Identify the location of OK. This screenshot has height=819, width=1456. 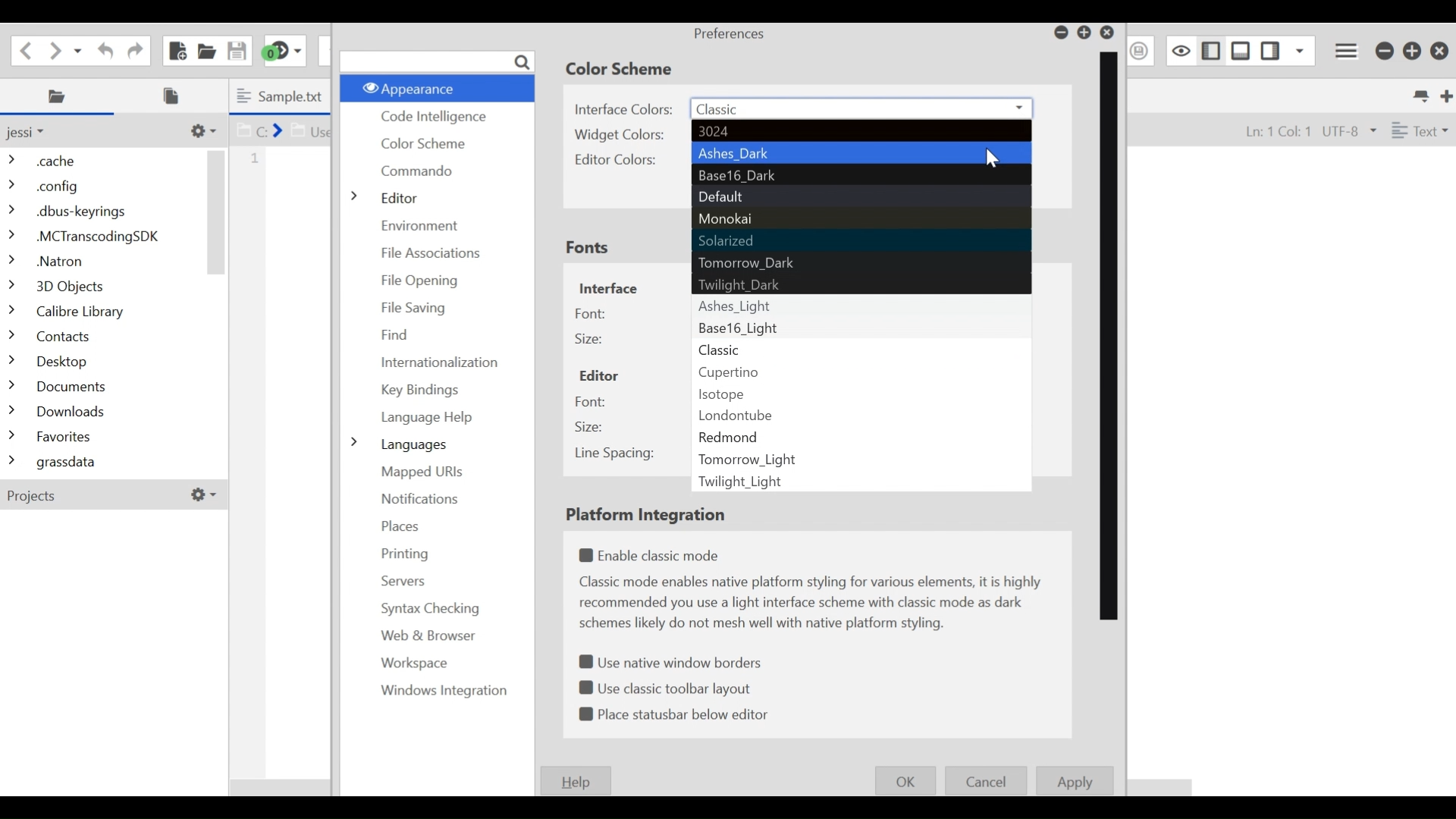
(905, 780).